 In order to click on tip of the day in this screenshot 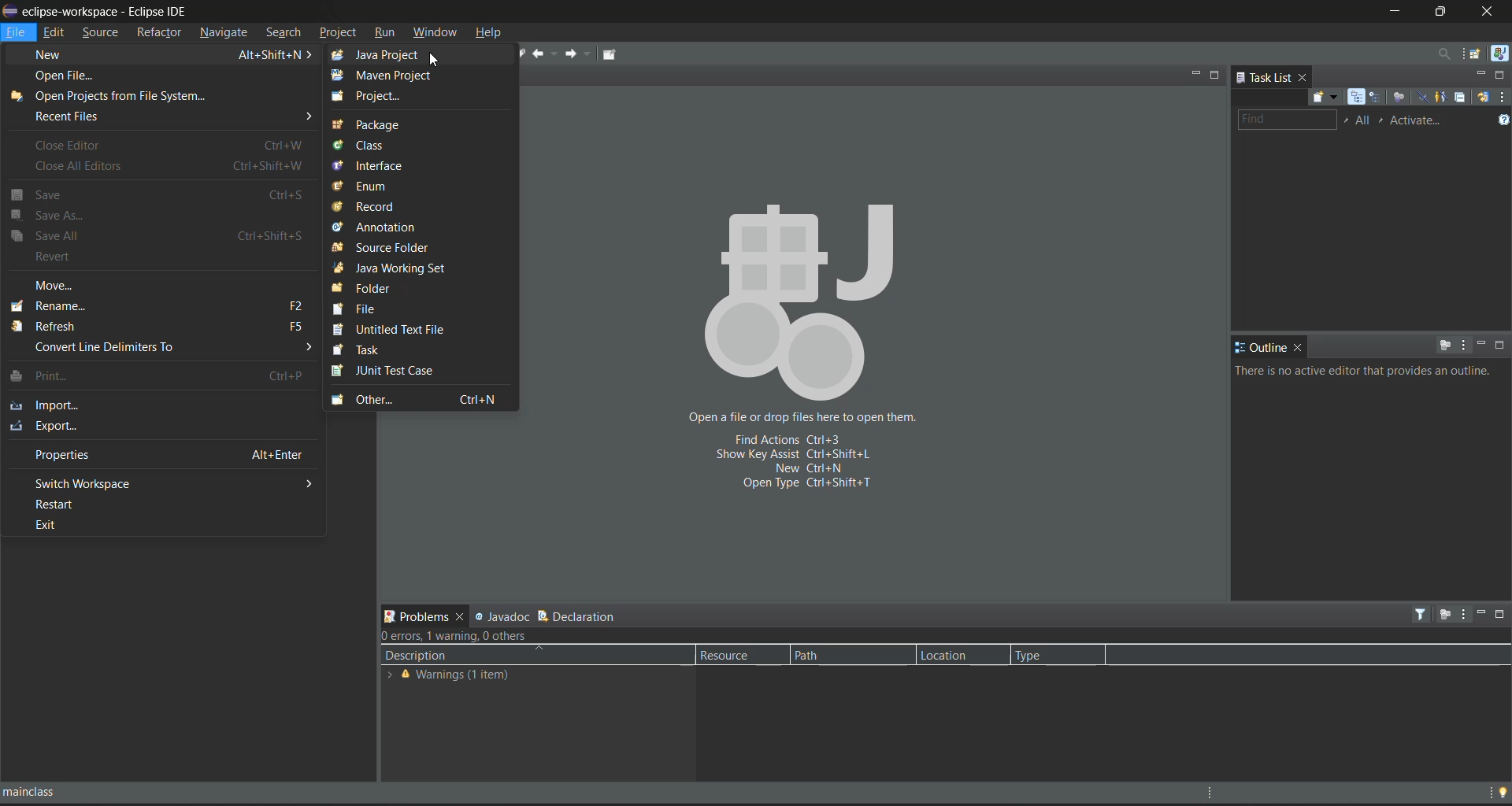, I will do `click(1502, 790)`.